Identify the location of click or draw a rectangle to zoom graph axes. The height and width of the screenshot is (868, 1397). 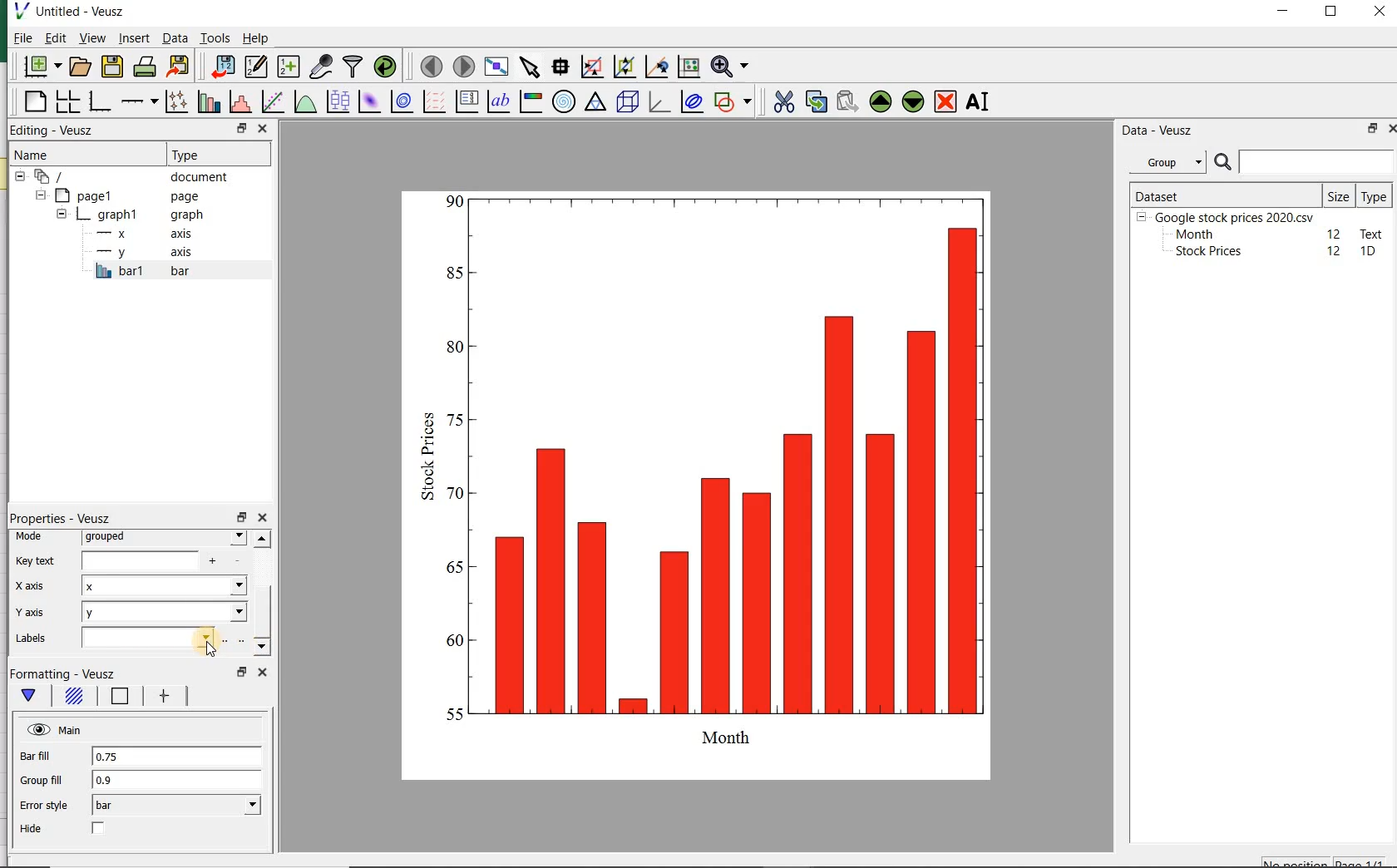
(591, 67).